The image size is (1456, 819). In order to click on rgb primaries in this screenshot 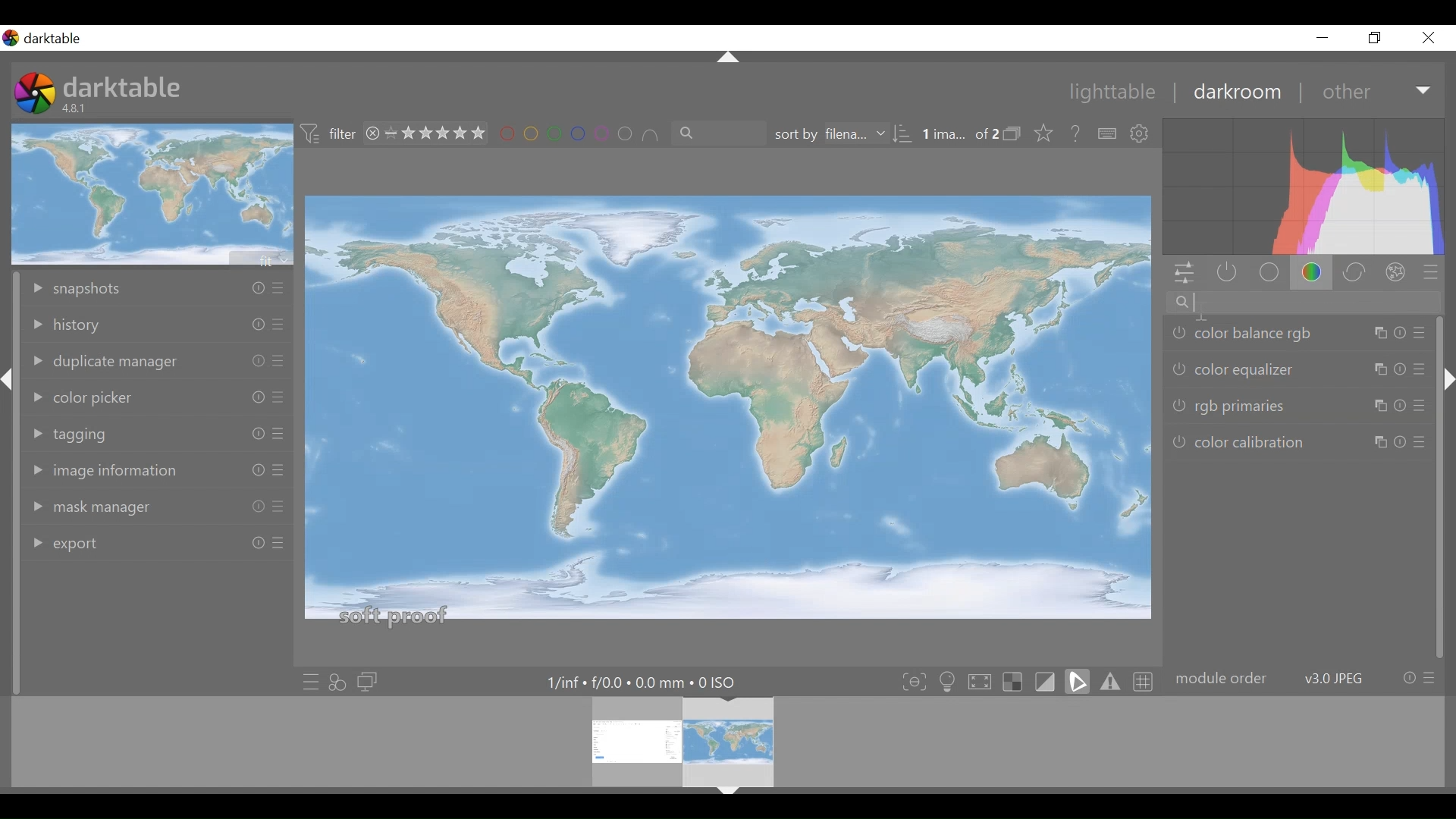, I will do `click(1228, 408)`.